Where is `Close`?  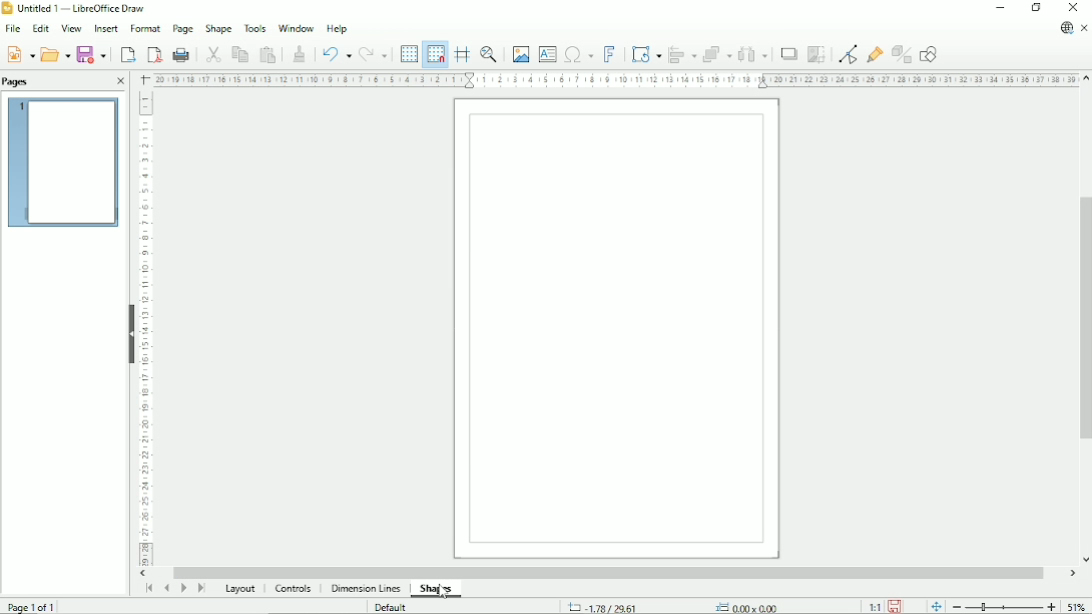
Close is located at coordinates (120, 81).